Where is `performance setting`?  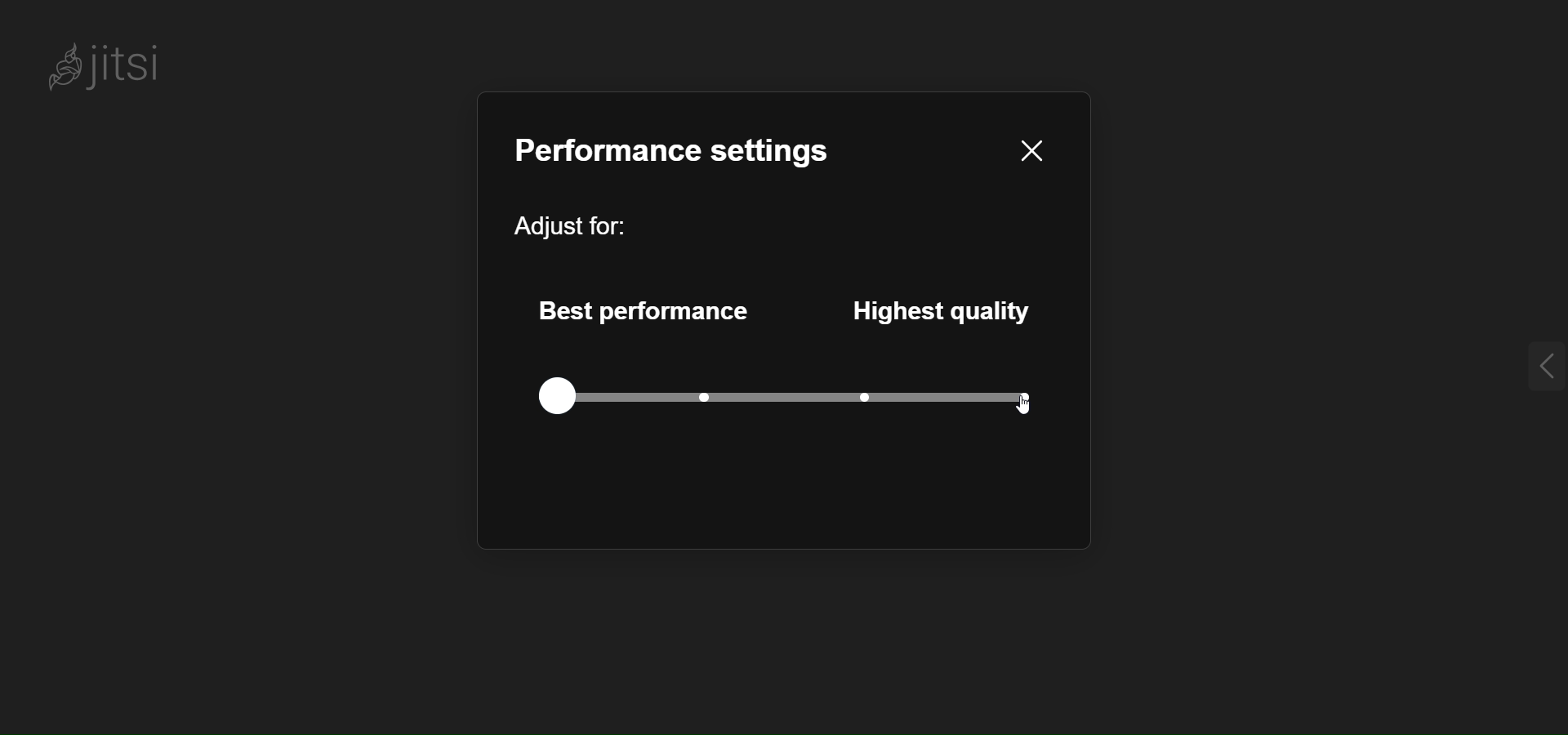 performance setting is located at coordinates (681, 151).